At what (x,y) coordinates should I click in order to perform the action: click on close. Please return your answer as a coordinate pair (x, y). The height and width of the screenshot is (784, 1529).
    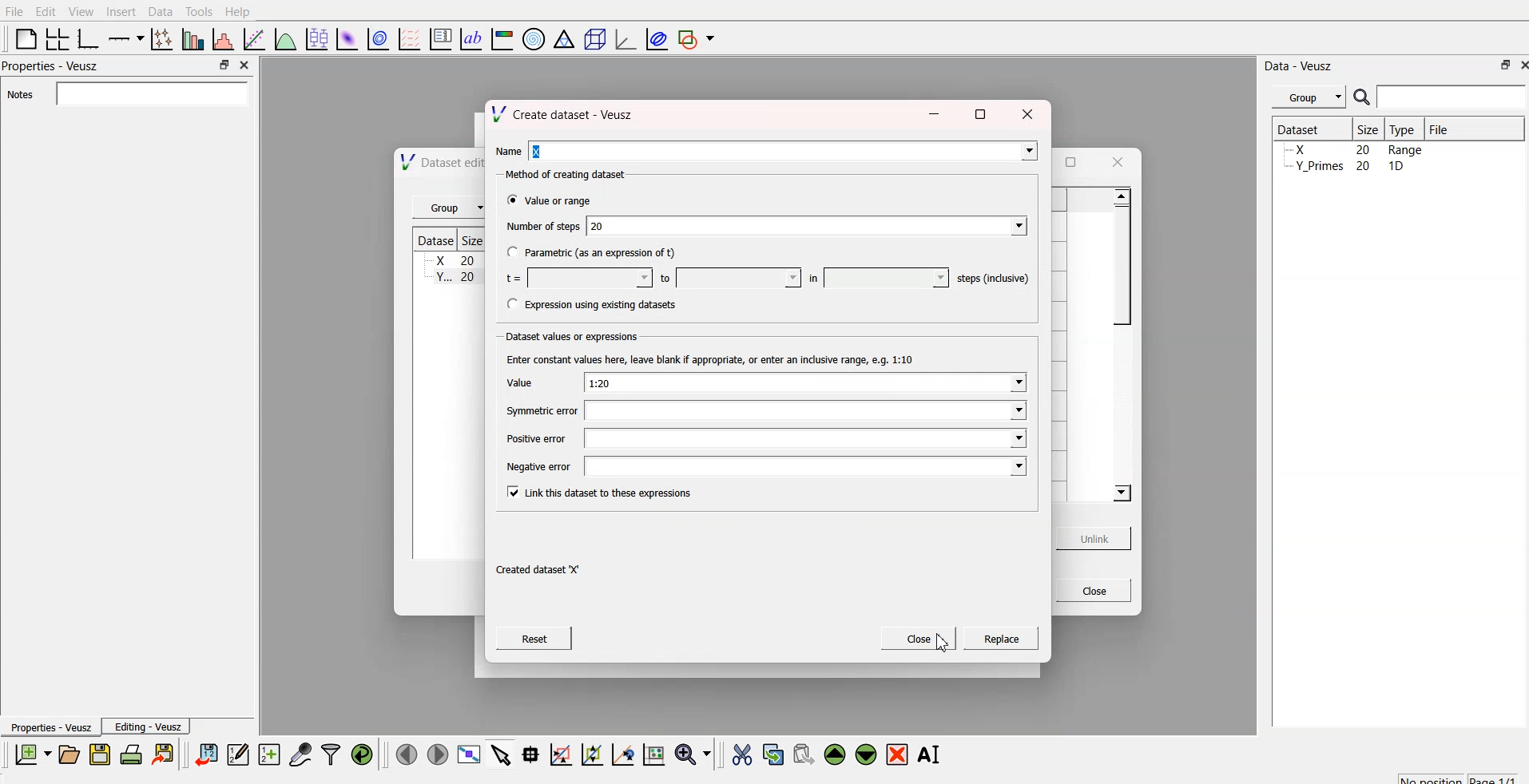
    Looking at the image, I should click on (243, 64).